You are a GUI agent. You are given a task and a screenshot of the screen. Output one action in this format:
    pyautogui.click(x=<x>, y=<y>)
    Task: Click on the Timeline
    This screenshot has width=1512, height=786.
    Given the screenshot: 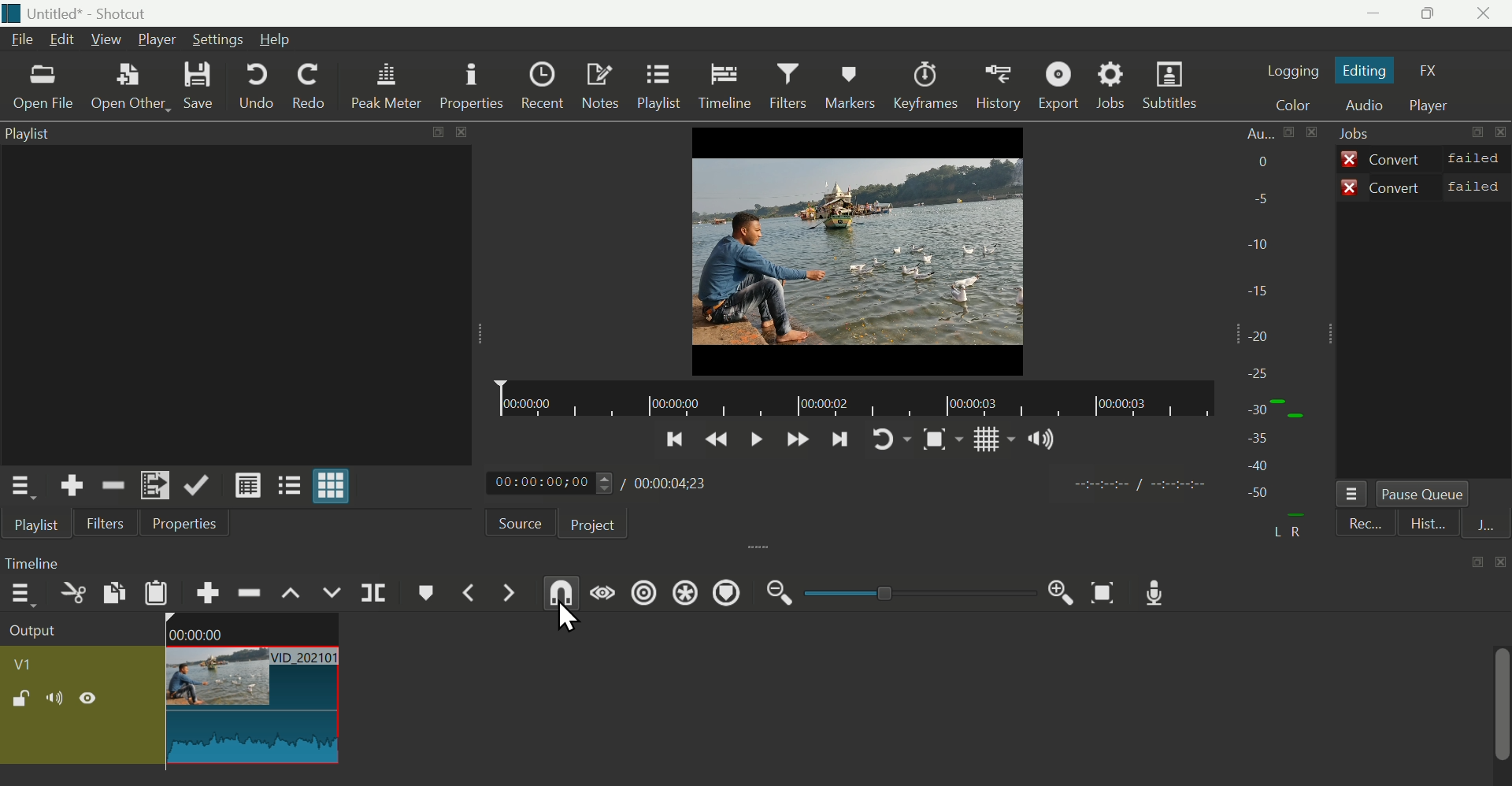 What is the action you would take?
    pyautogui.click(x=724, y=86)
    